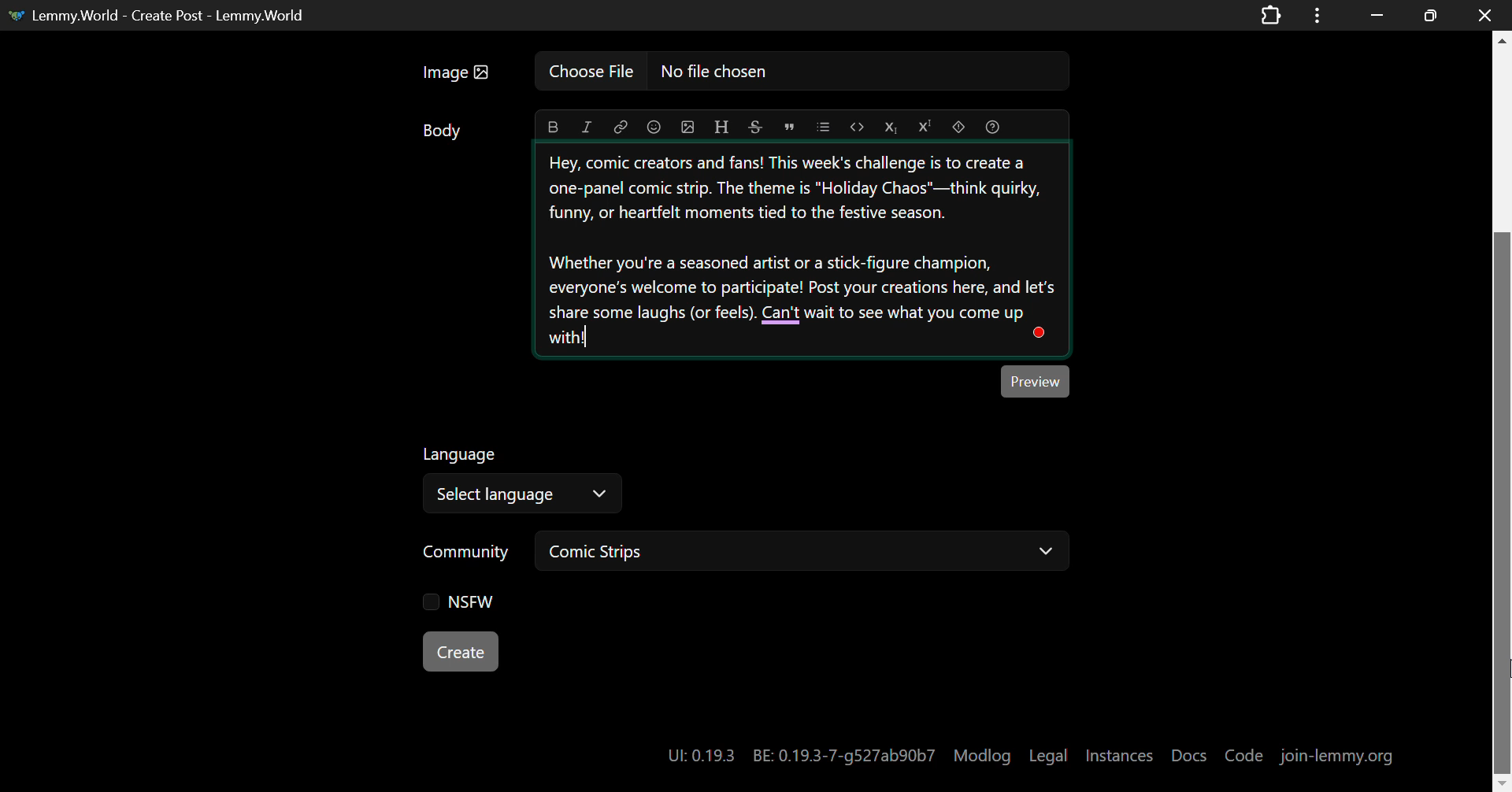  Describe the element at coordinates (621, 128) in the screenshot. I see `link` at that location.